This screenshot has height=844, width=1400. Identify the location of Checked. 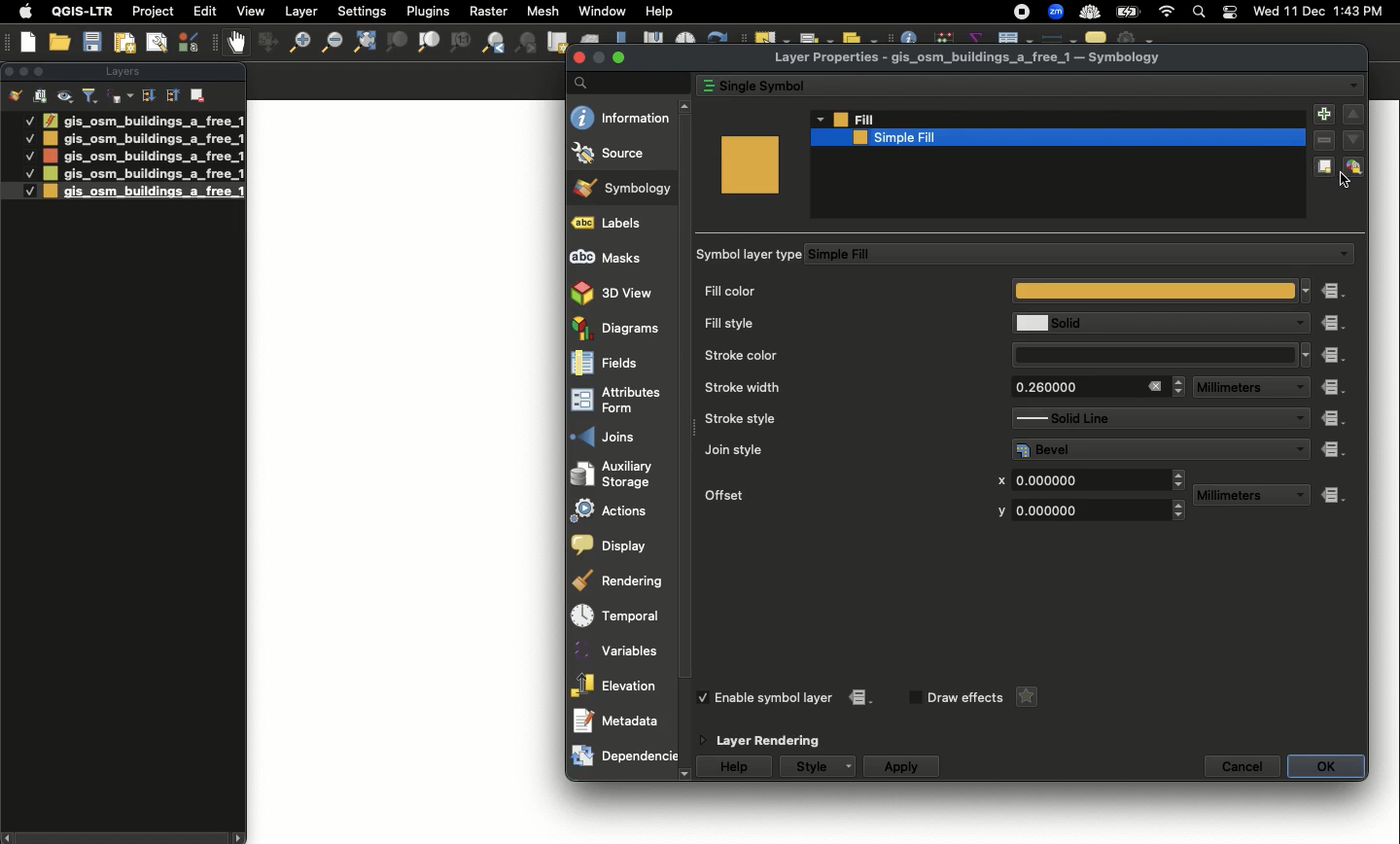
(28, 137).